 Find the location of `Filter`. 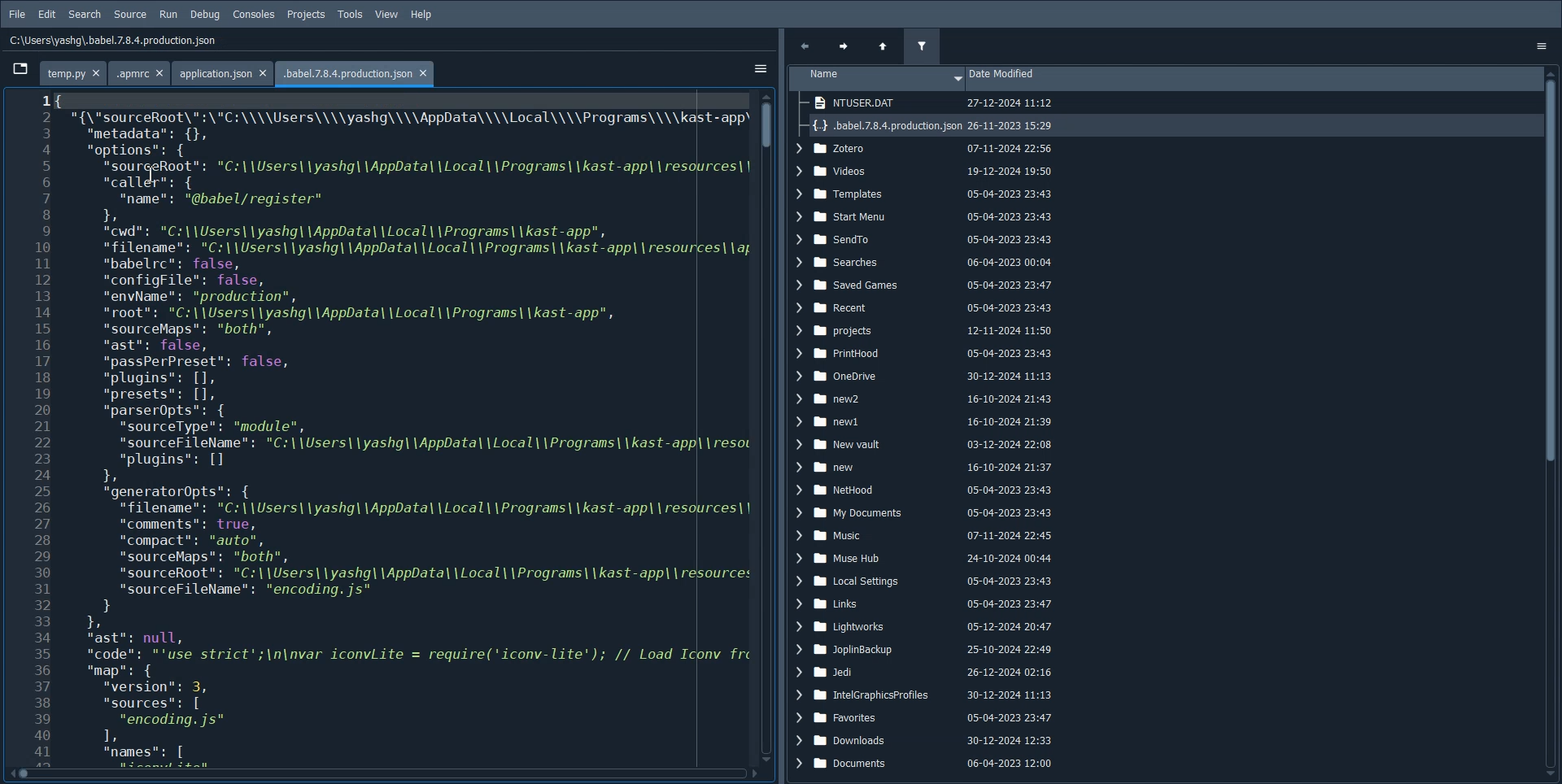

Filter is located at coordinates (923, 46).